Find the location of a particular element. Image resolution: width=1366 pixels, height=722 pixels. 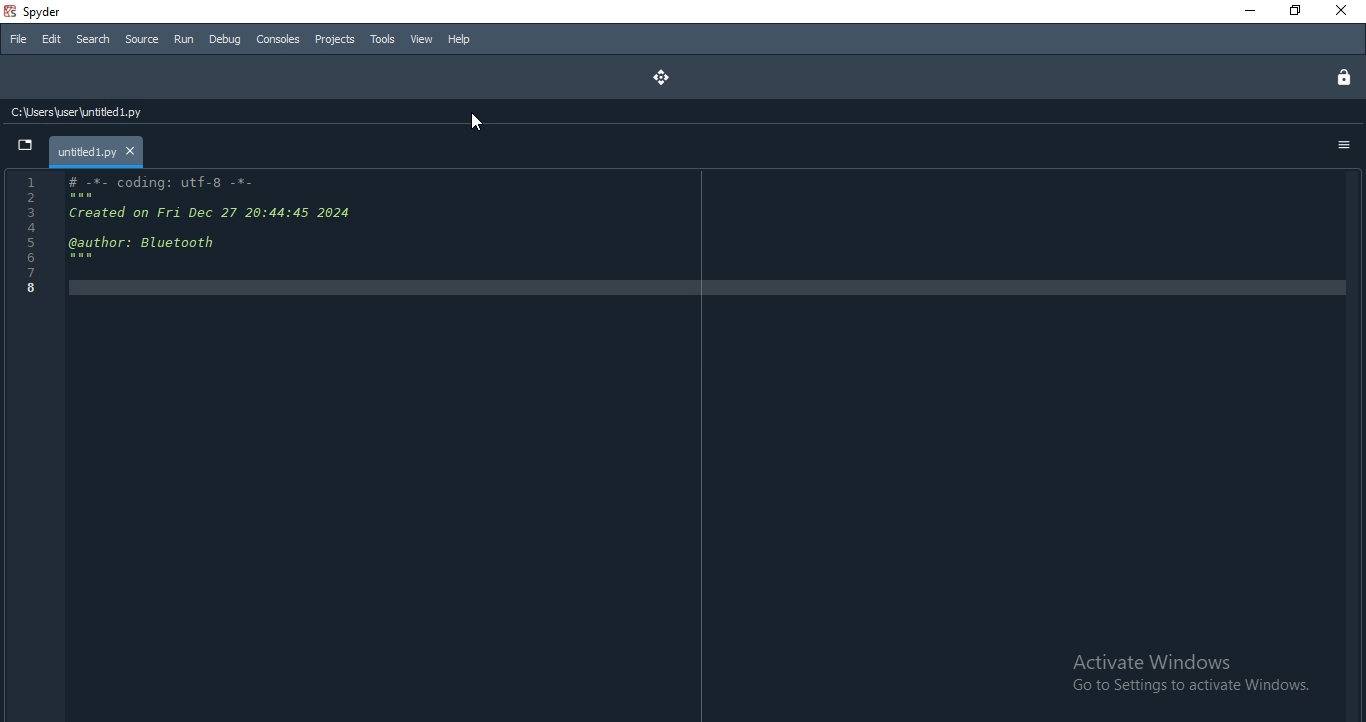

Tools is located at coordinates (383, 40).